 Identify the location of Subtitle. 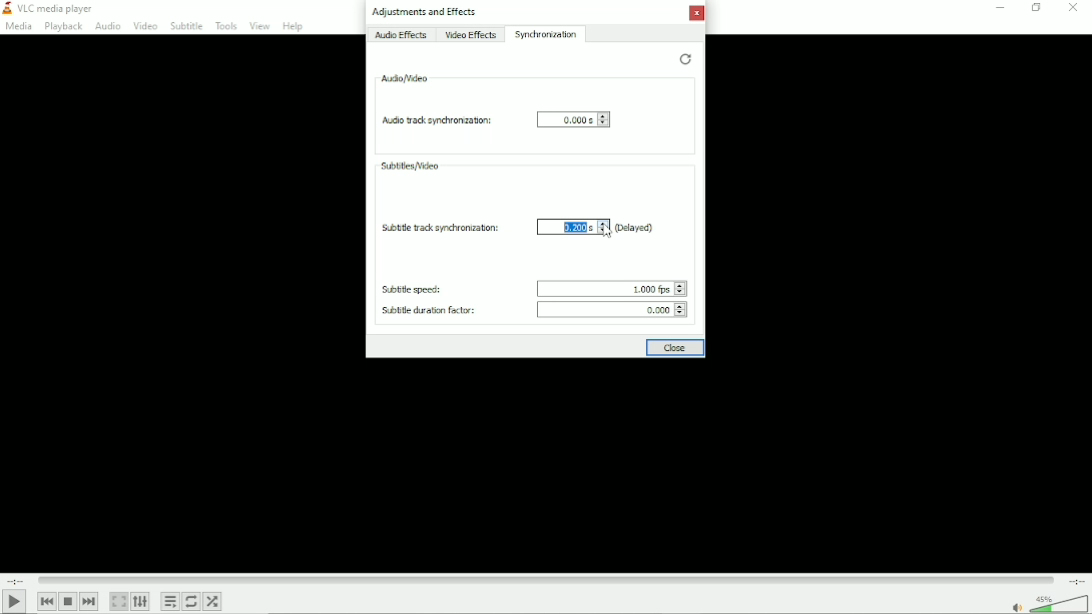
(185, 26).